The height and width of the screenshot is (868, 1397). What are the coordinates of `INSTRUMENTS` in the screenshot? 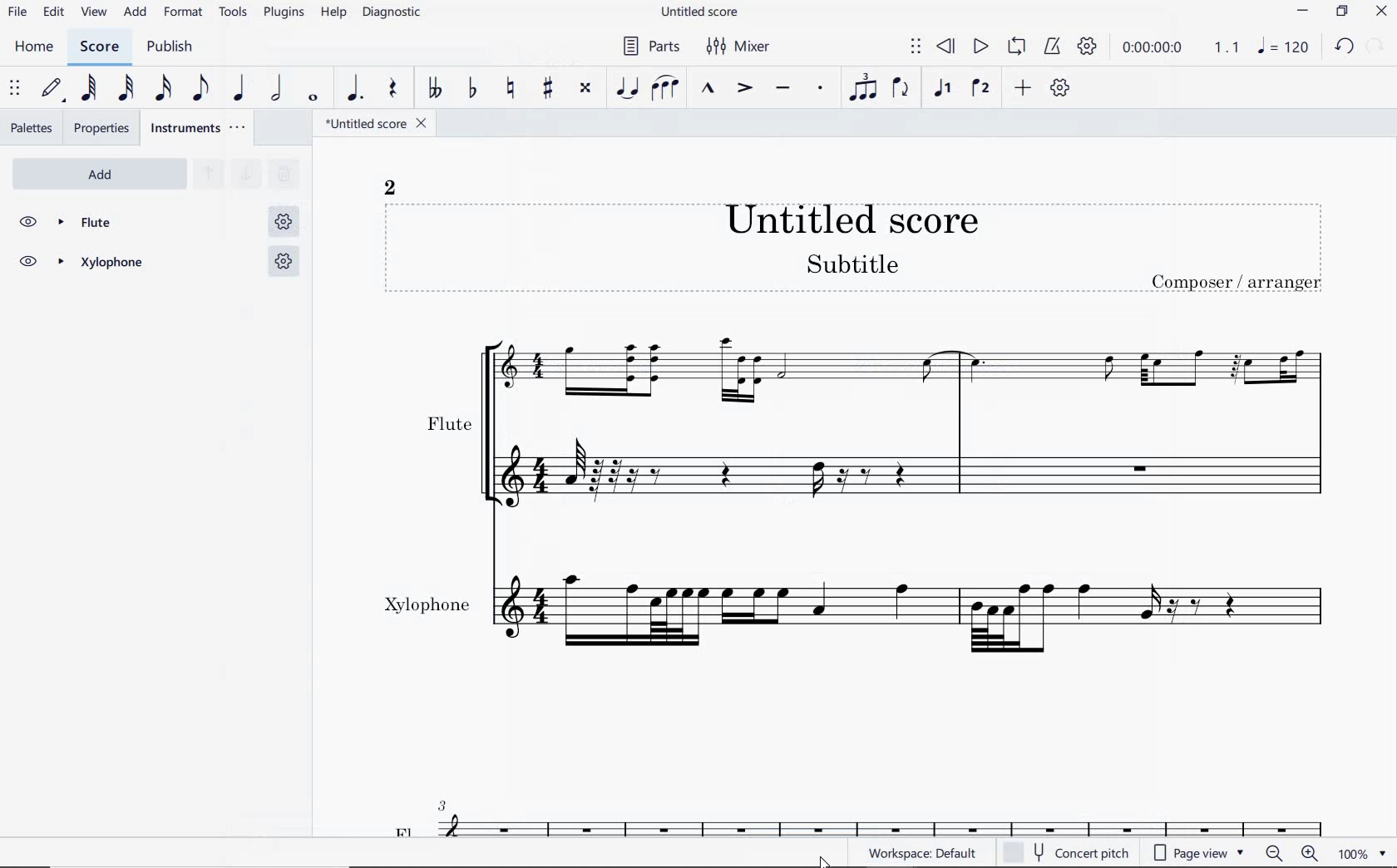 It's located at (196, 129).